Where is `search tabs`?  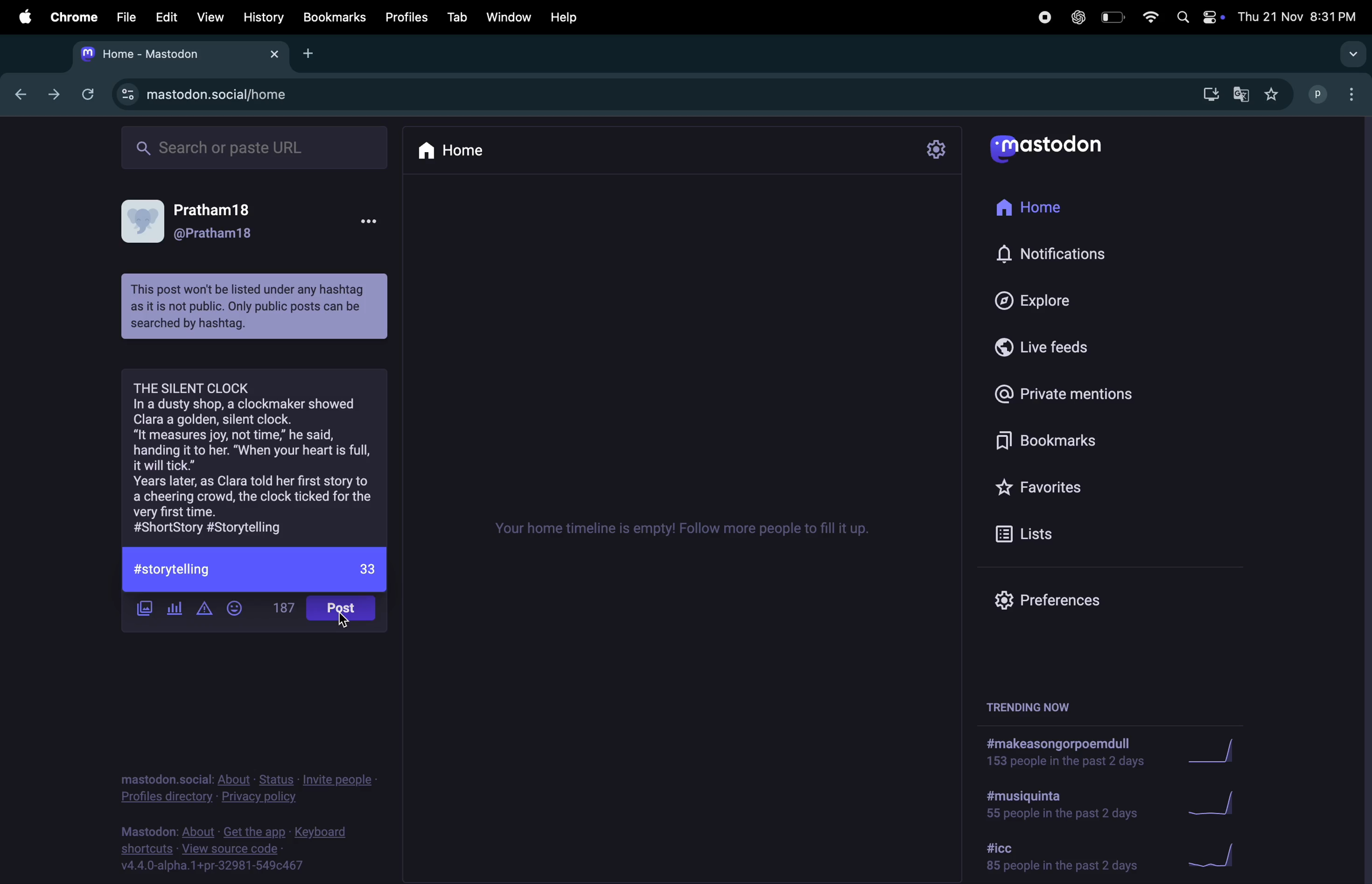 search tabs is located at coordinates (1352, 54).